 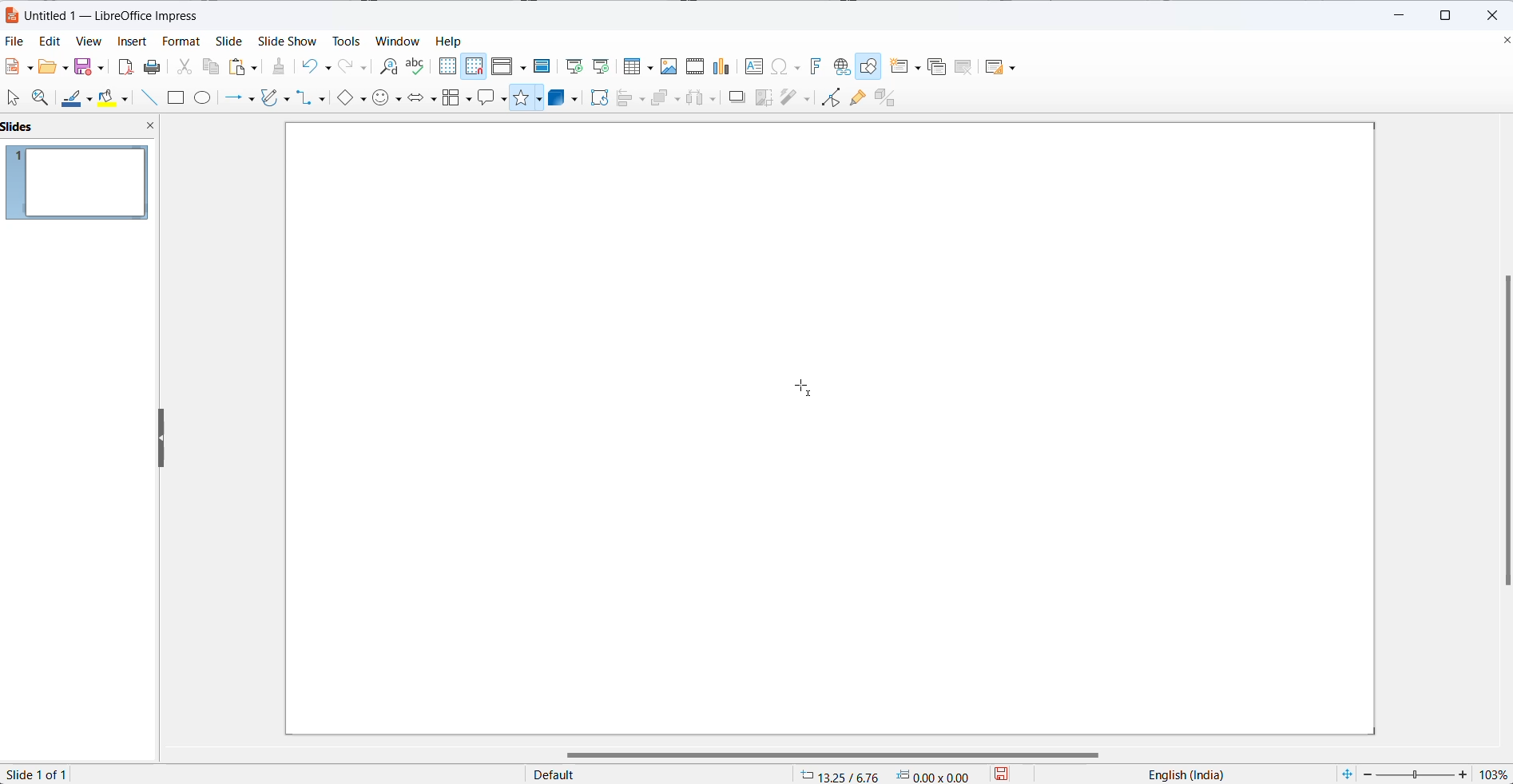 I want to click on show gluepoint function, so click(x=857, y=98).